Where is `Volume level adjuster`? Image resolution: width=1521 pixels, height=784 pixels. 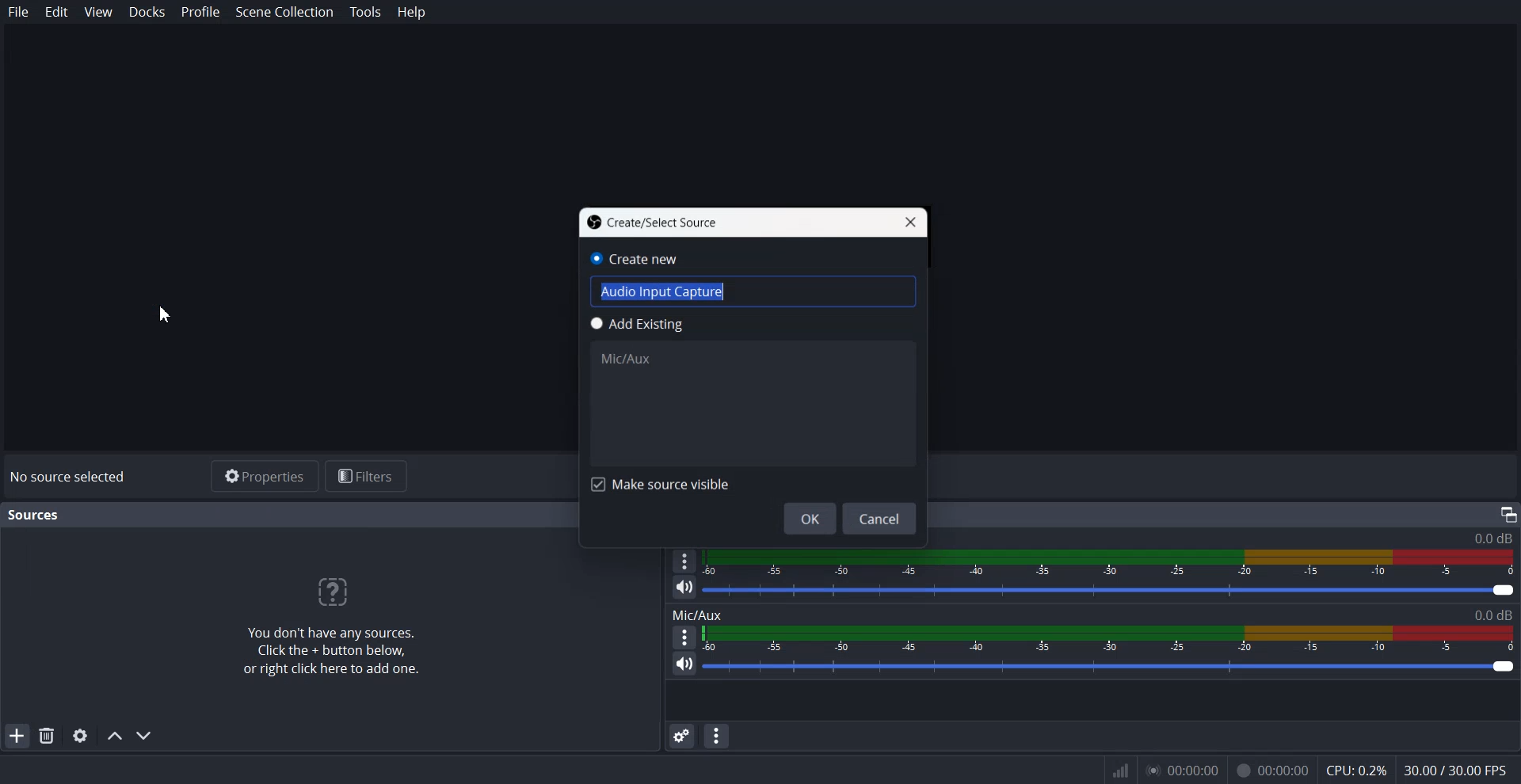
Volume level adjuster is located at coordinates (1111, 591).